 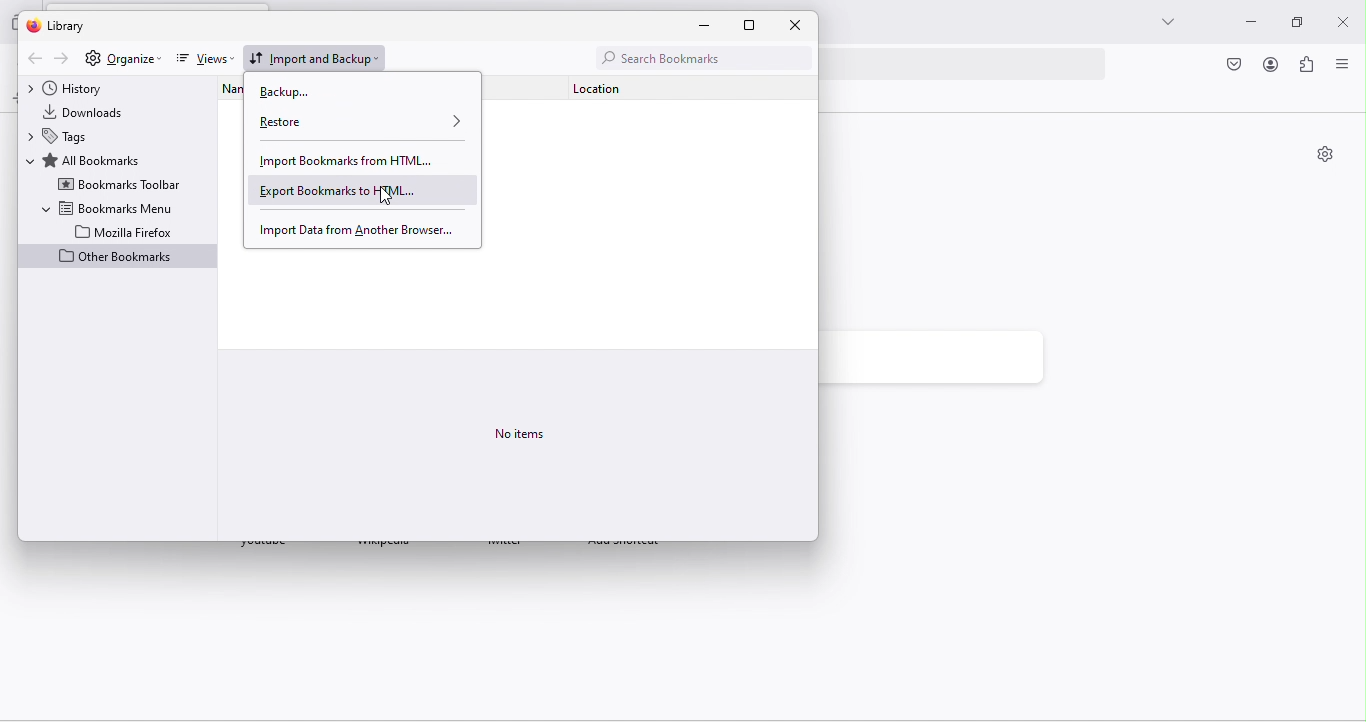 What do you see at coordinates (712, 26) in the screenshot?
I see `minimize` at bounding box center [712, 26].